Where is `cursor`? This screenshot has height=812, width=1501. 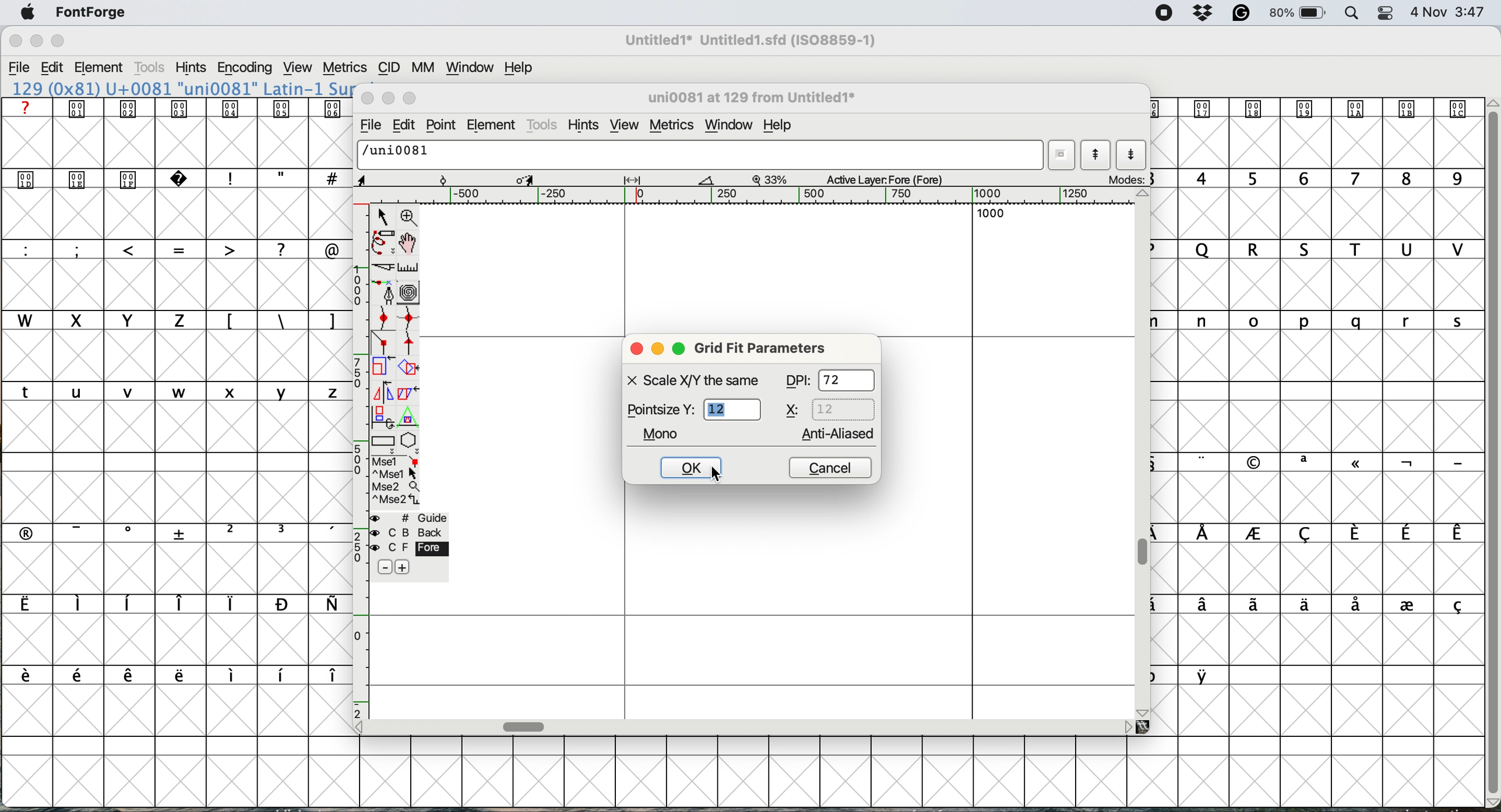 cursor is located at coordinates (720, 475).